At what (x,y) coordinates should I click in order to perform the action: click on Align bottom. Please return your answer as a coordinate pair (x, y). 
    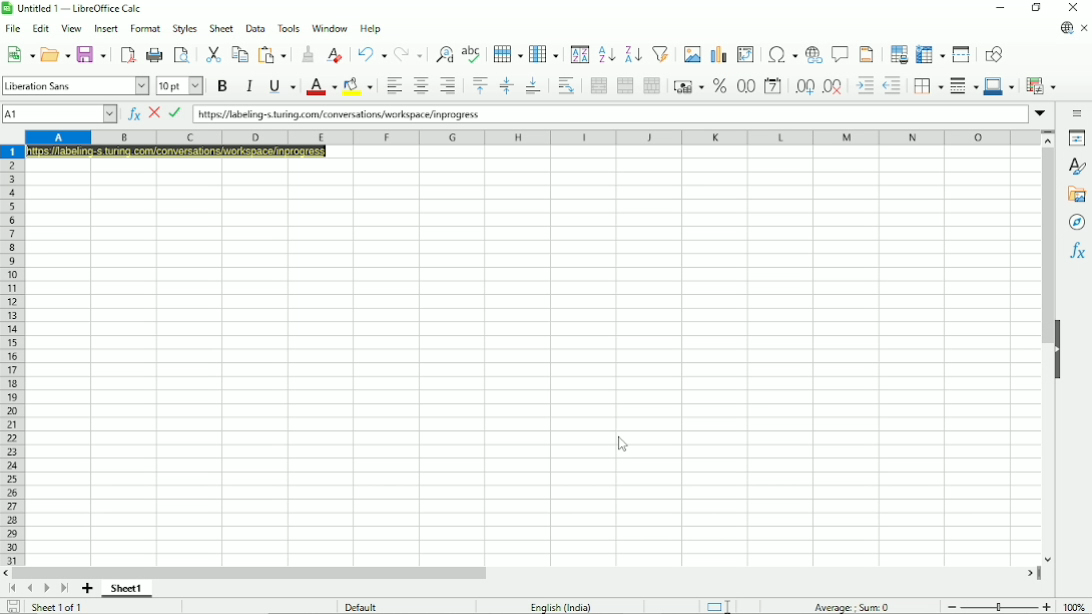
    Looking at the image, I should click on (534, 86).